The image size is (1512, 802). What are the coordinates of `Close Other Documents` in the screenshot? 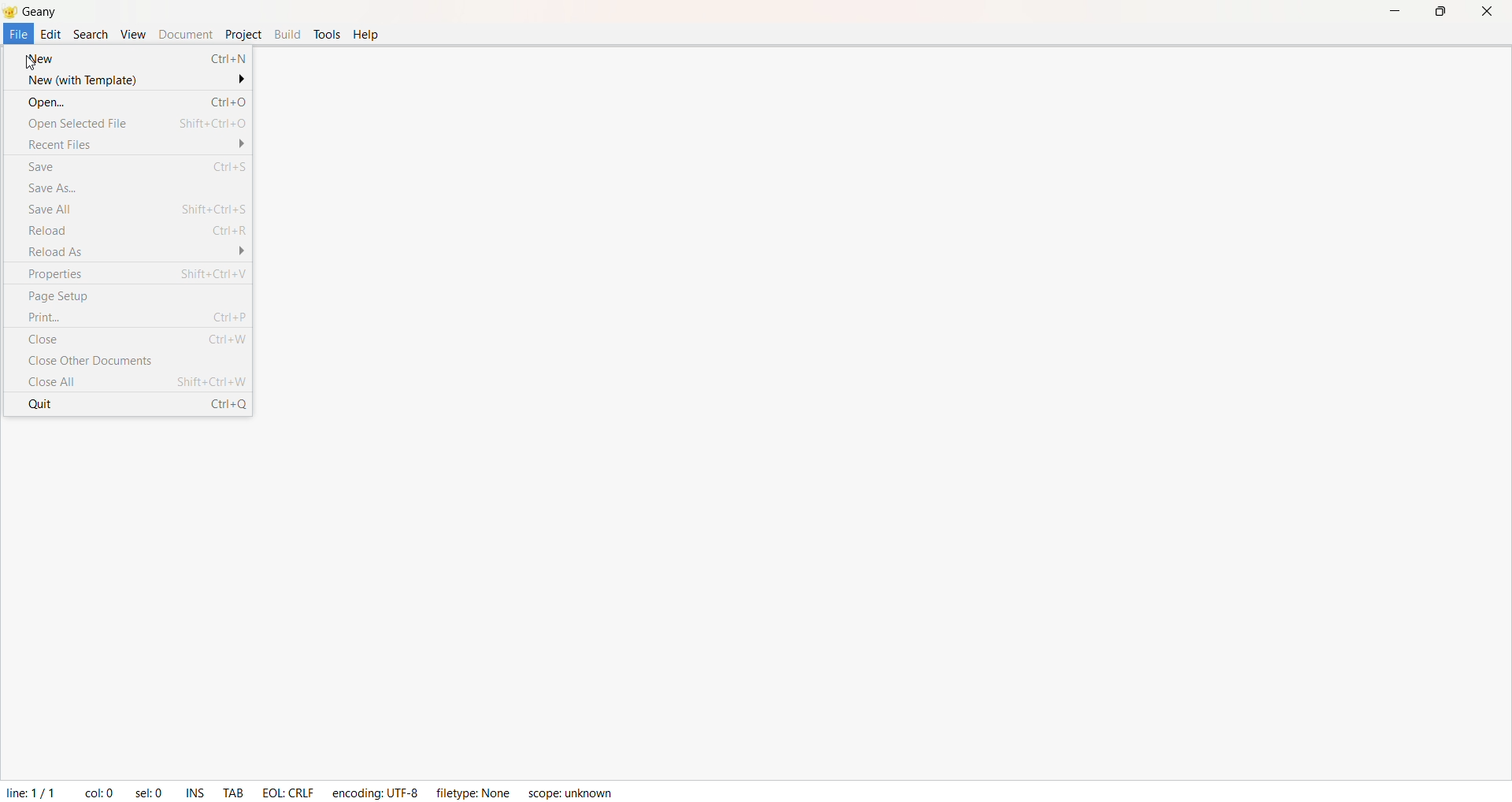 It's located at (132, 361).